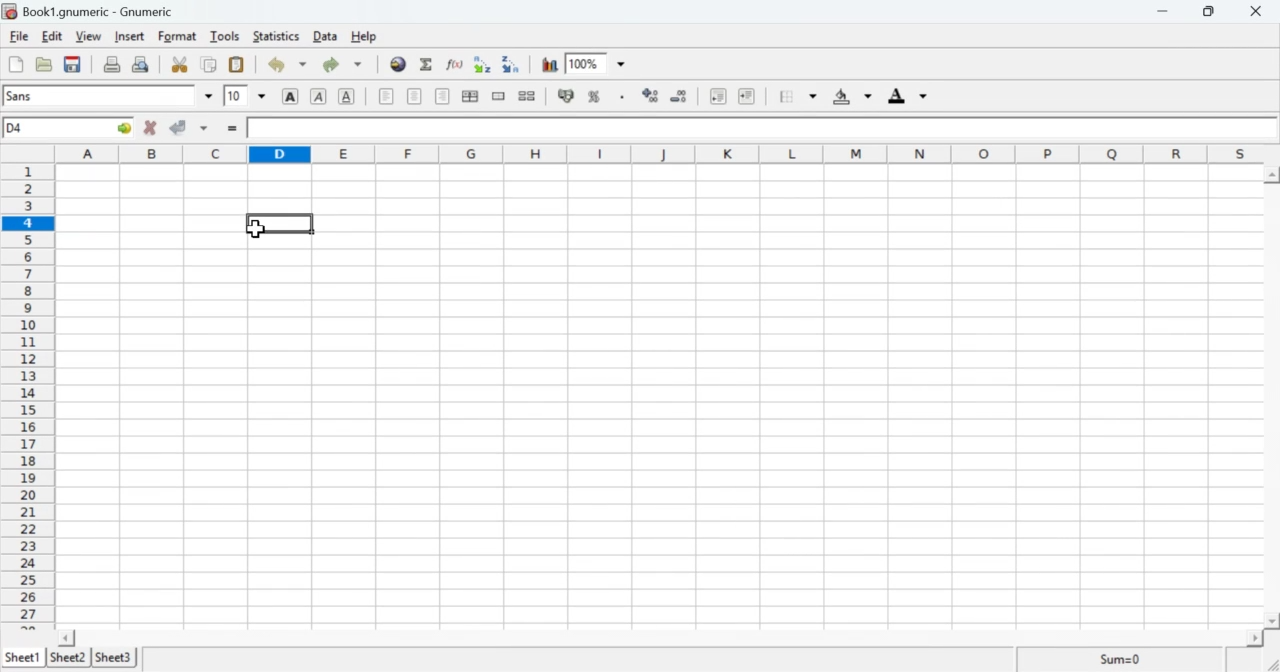 This screenshot has height=672, width=1280. Describe the element at coordinates (1252, 638) in the screenshot. I see `scroll right` at that location.